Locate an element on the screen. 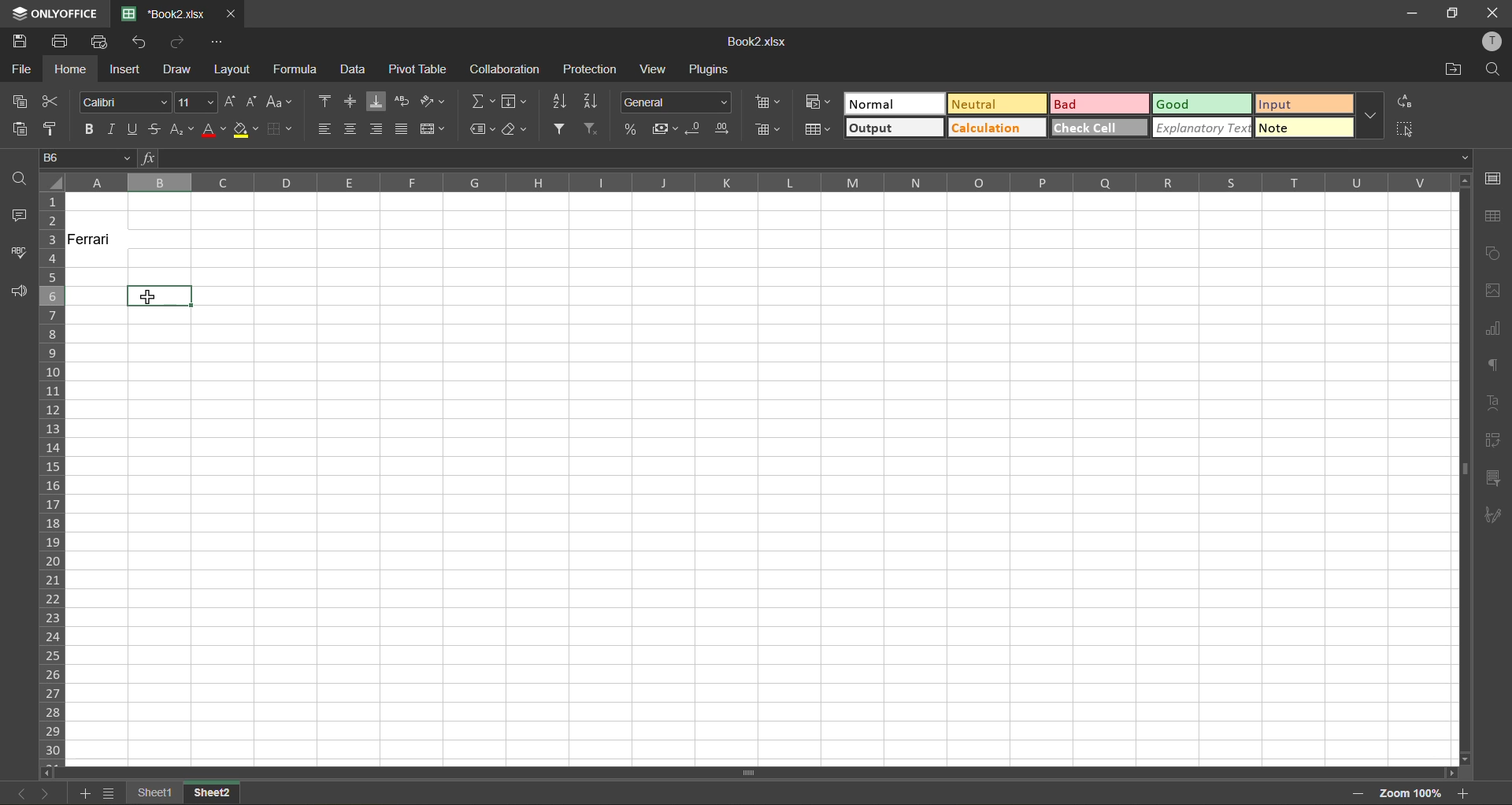 The height and width of the screenshot is (805, 1512). file name is located at coordinates (163, 13).